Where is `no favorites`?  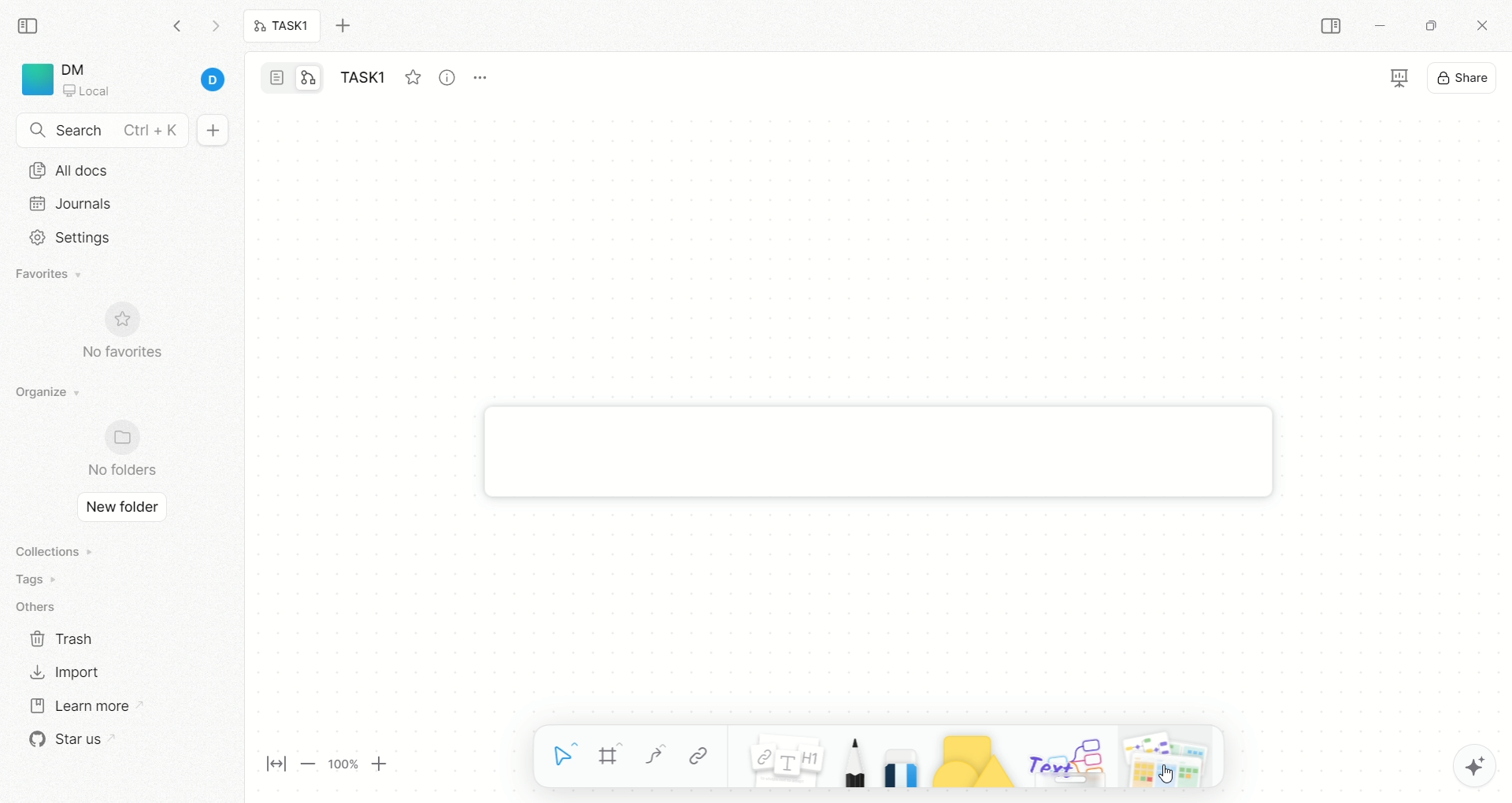 no favorites is located at coordinates (130, 340).